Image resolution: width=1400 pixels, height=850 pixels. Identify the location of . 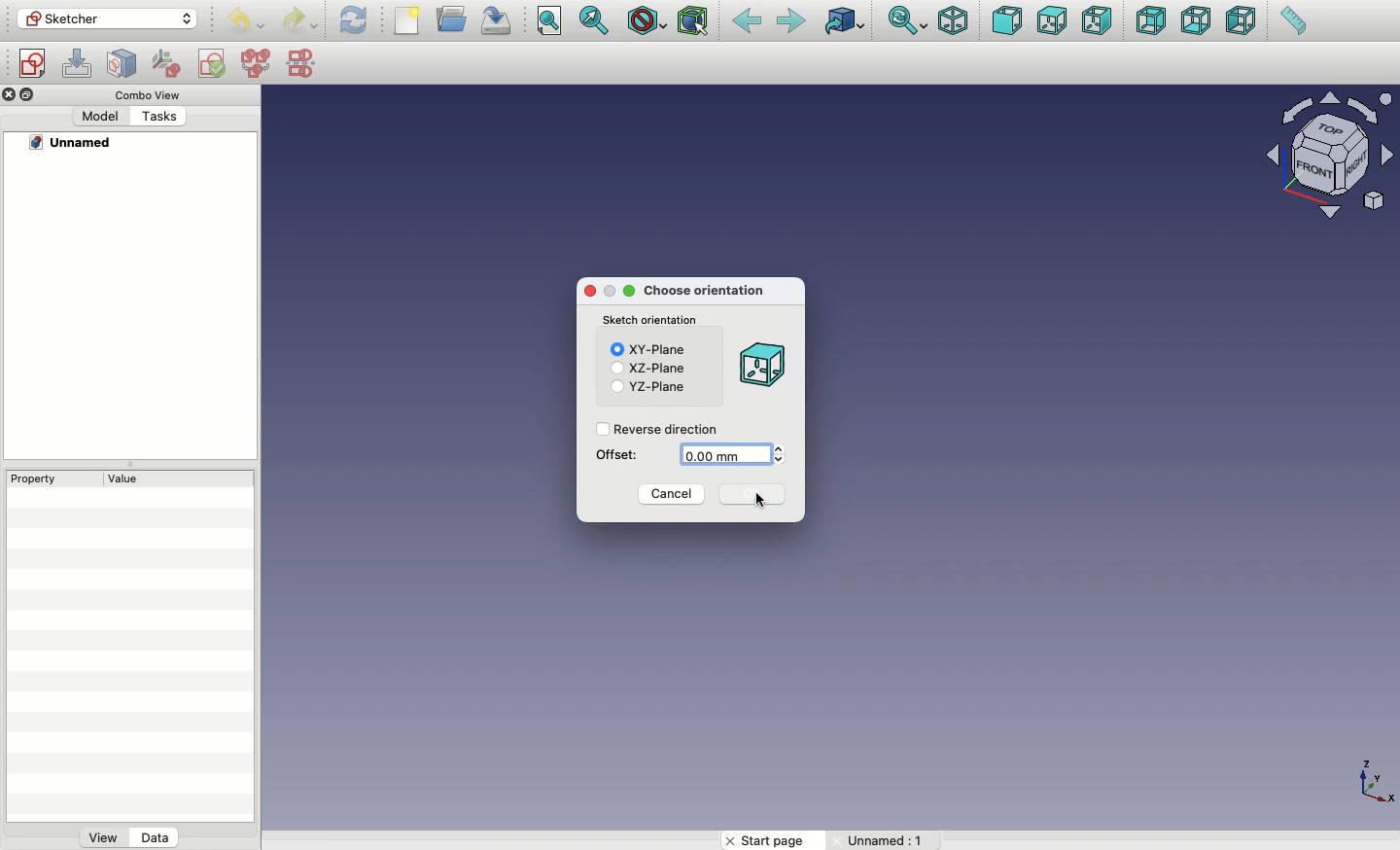
(159, 117).